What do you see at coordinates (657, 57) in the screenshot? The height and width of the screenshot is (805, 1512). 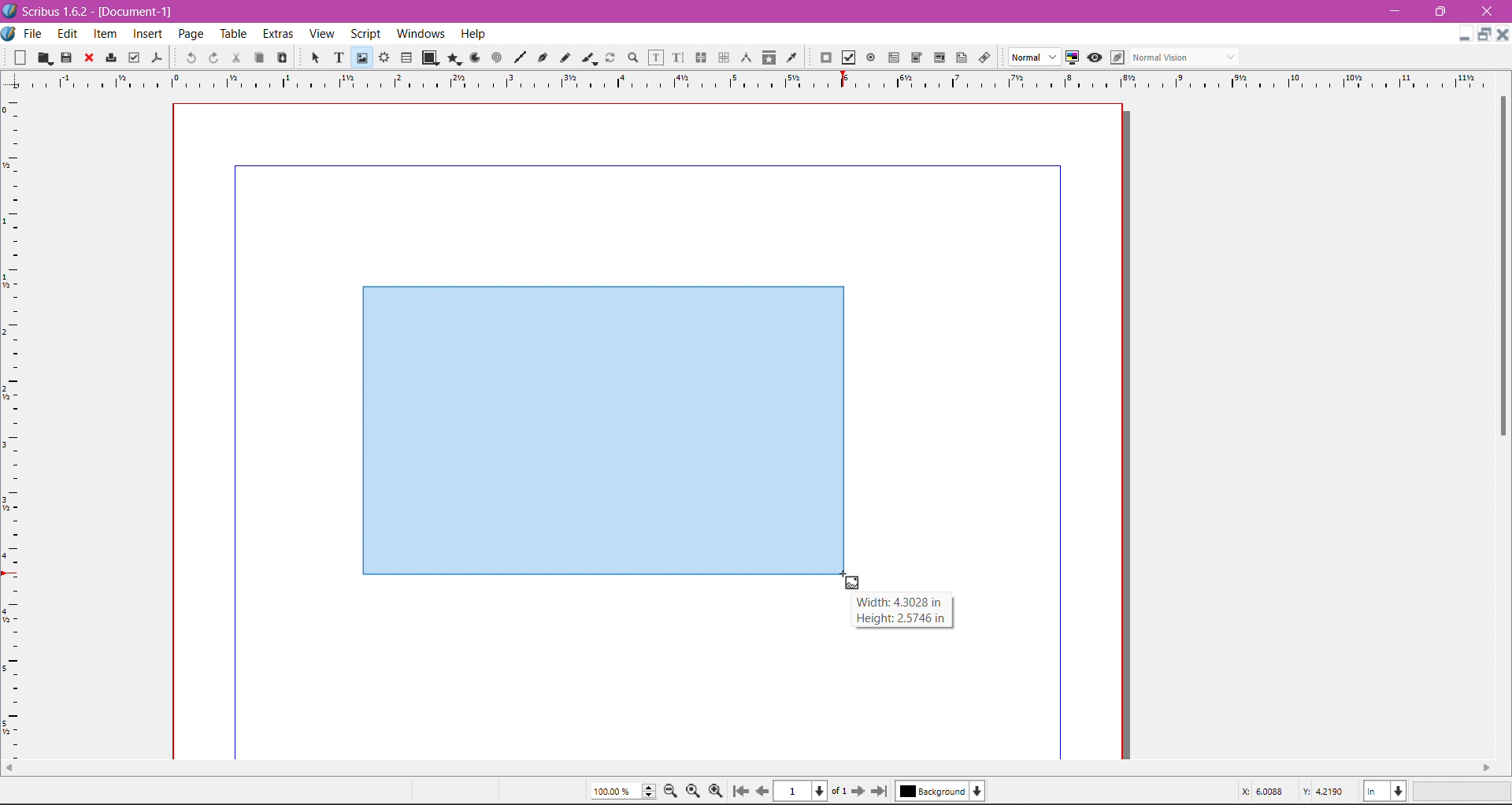 I see `Edit Contents of Frames` at bounding box center [657, 57].